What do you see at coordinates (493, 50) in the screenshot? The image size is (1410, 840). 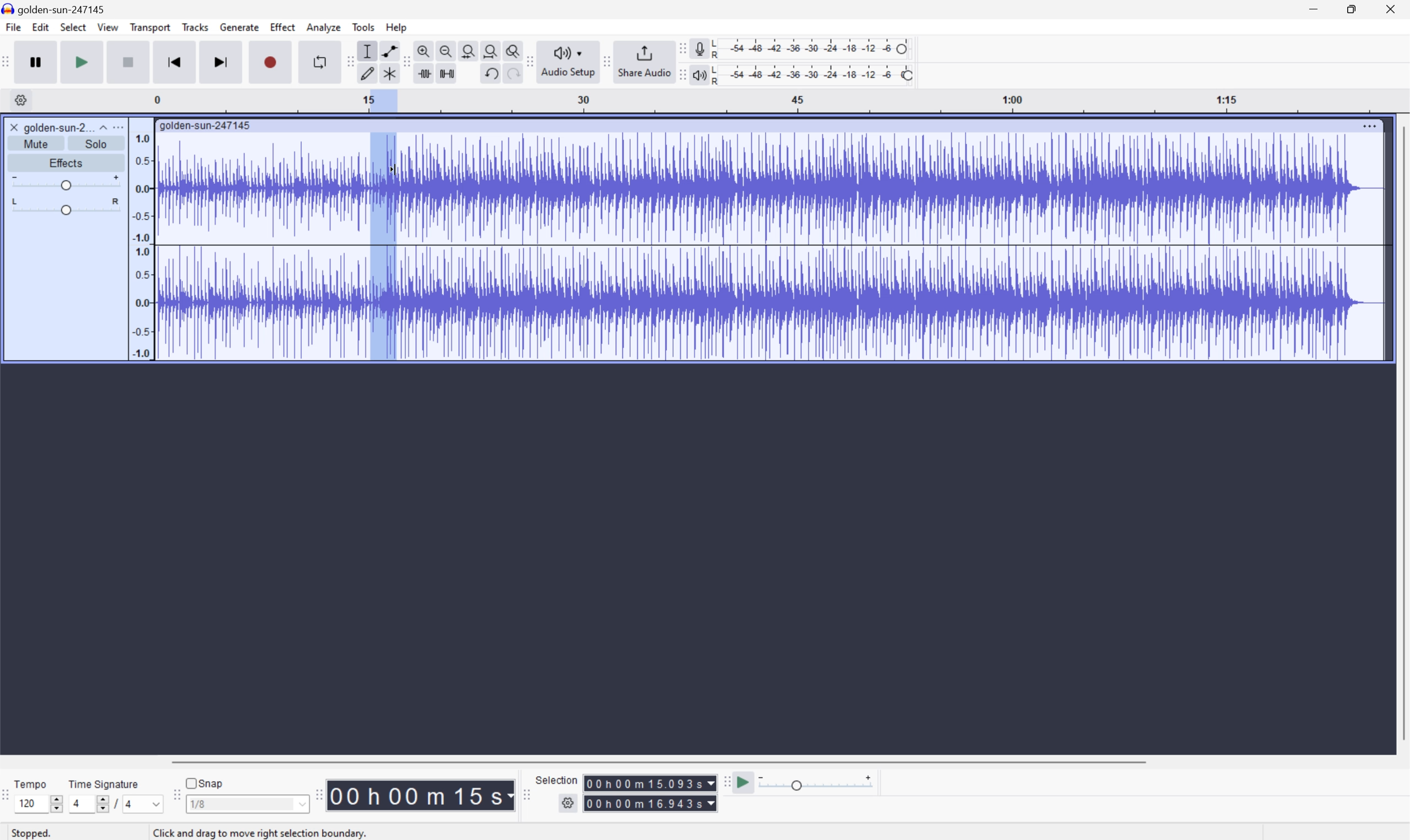 I see `Fit project to width` at bounding box center [493, 50].